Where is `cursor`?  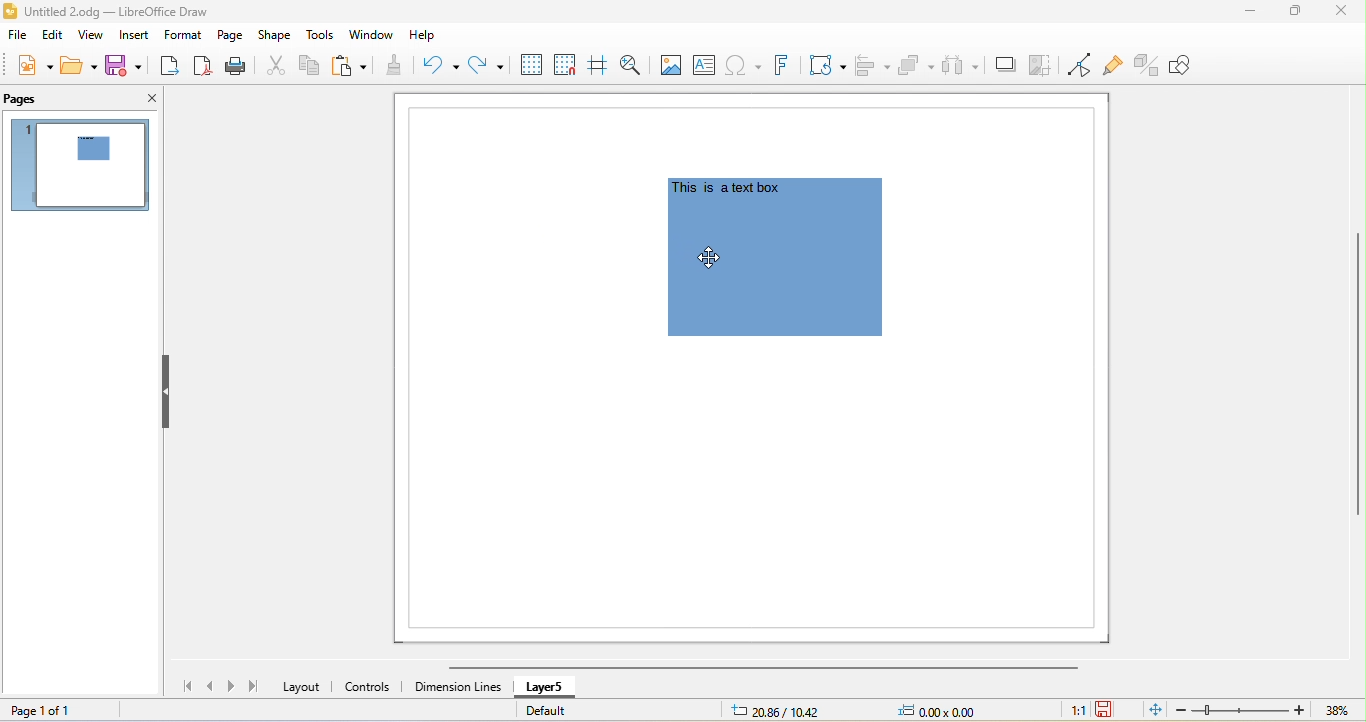
cursor is located at coordinates (717, 257).